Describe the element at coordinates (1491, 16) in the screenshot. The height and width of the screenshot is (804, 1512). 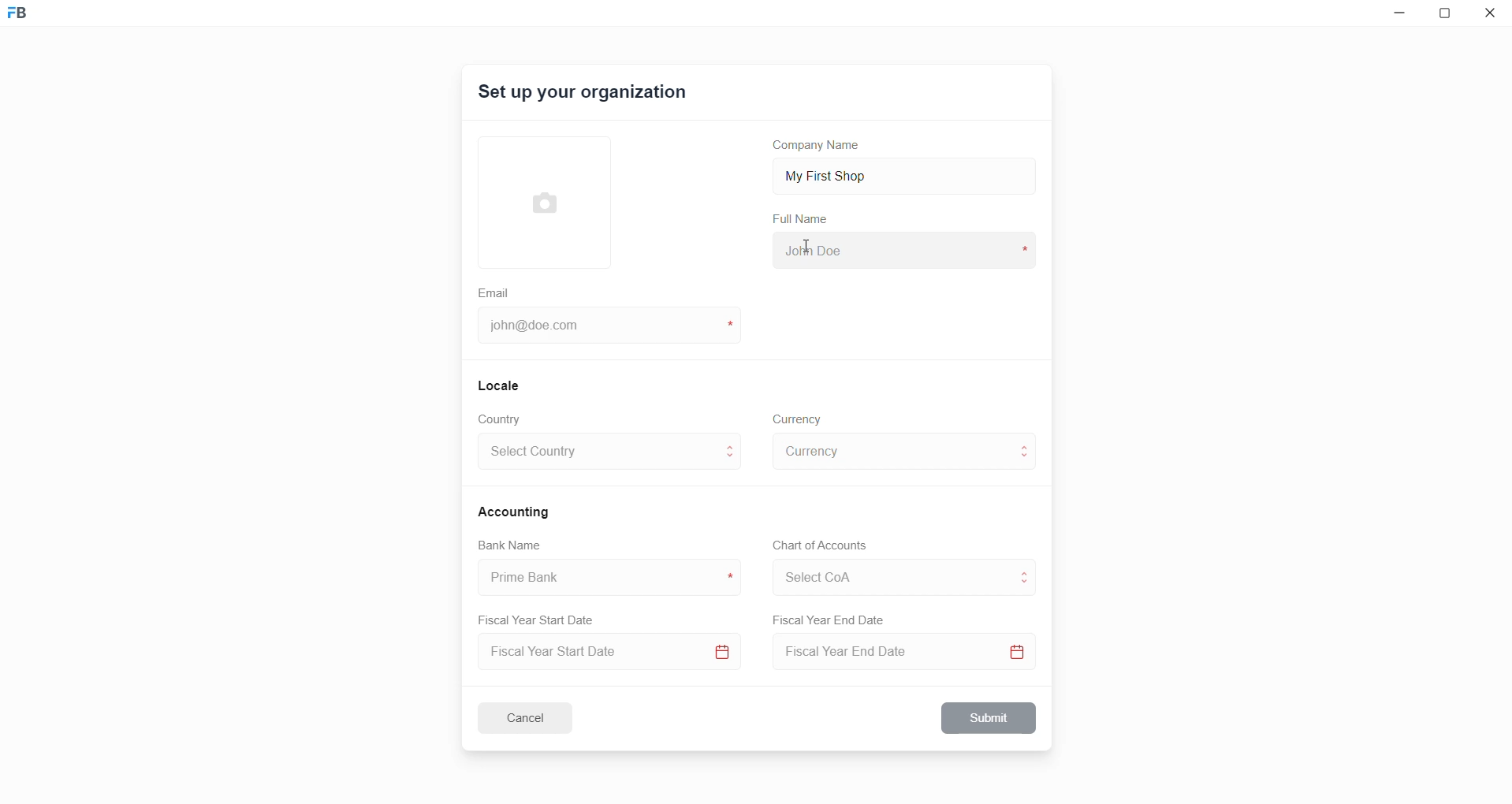
I see `close` at that location.